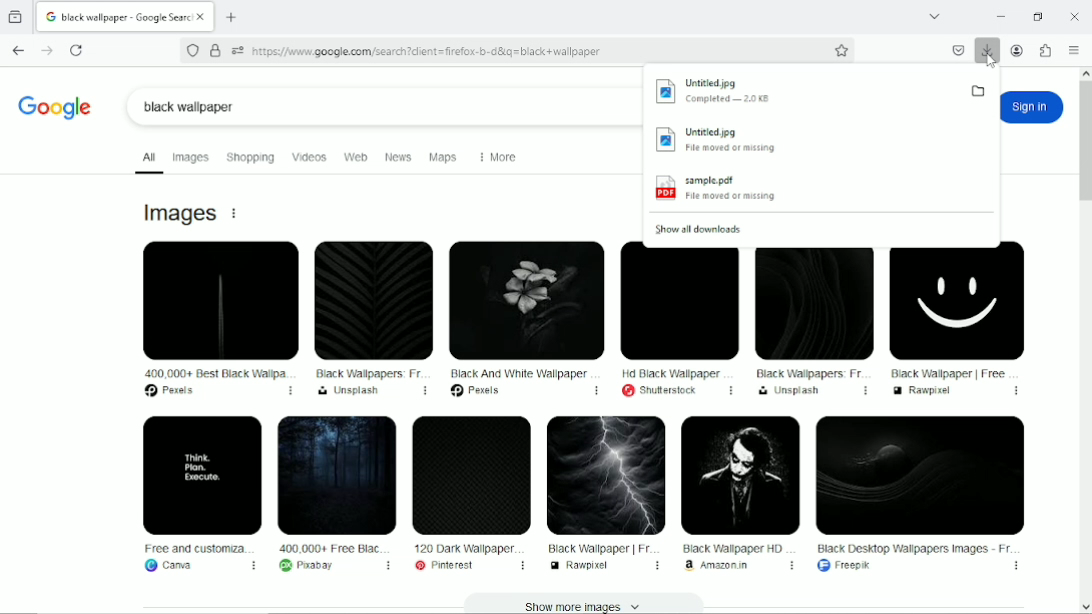 Image resolution: width=1092 pixels, height=614 pixels. What do you see at coordinates (308, 158) in the screenshot?
I see `Videos` at bounding box center [308, 158].